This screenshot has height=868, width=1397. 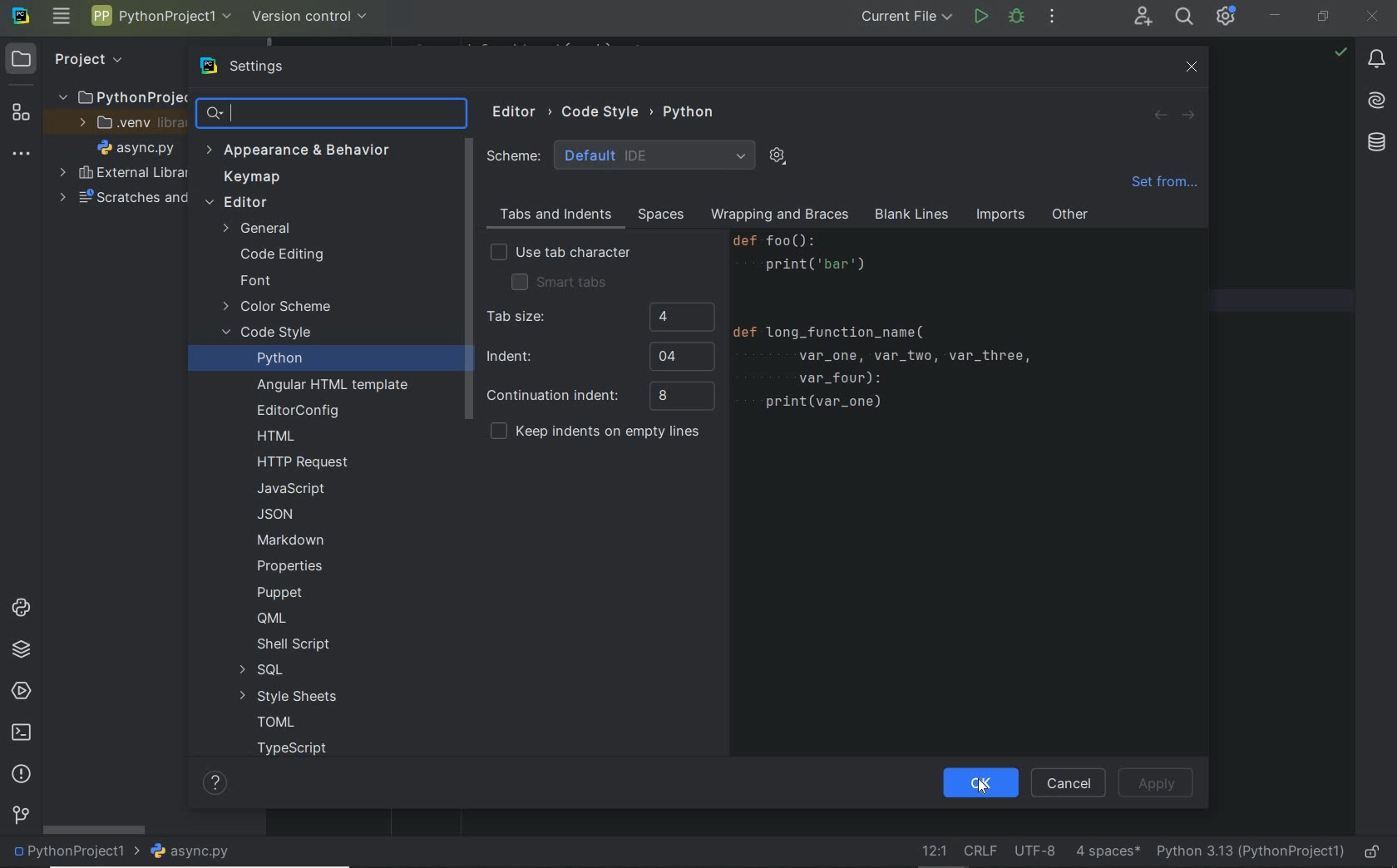 I want to click on Keymap, so click(x=248, y=178).